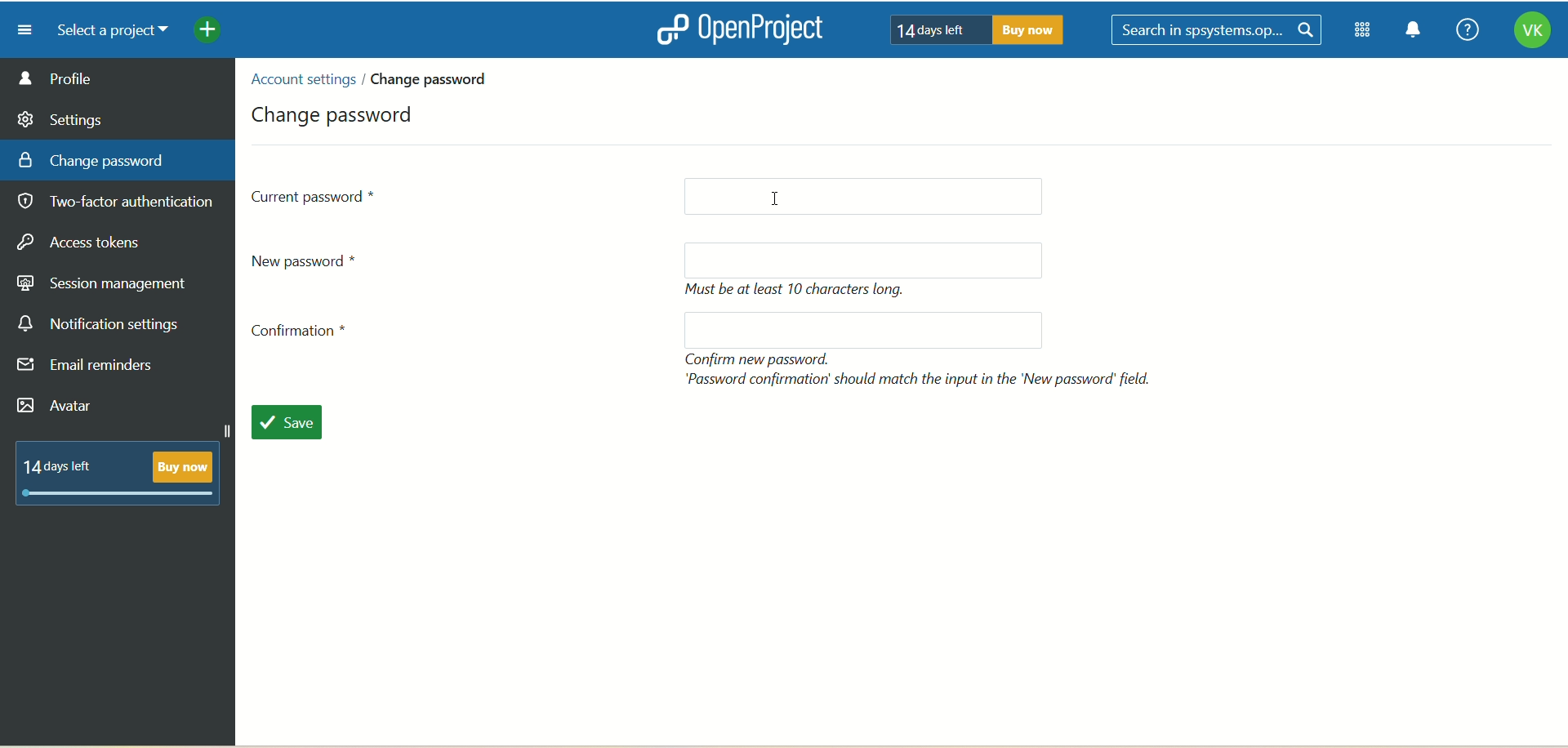 The height and width of the screenshot is (748, 1568). Describe the element at coordinates (106, 31) in the screenshot. I see `select a project` at that location.